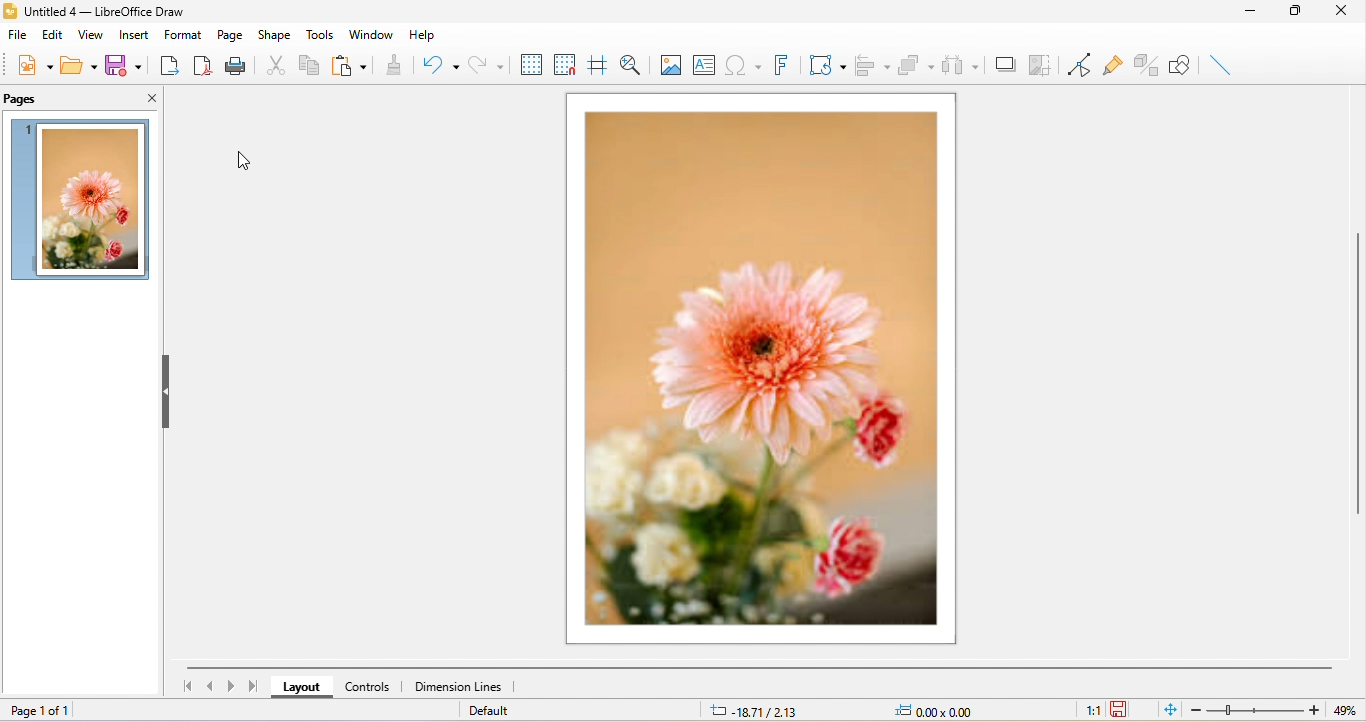 The height and width of the screenshot is (722, 1366). What do you see at coordinates (1251, 709) in the screenshot?
I see `zoom` at bounding box center [1251, 709].